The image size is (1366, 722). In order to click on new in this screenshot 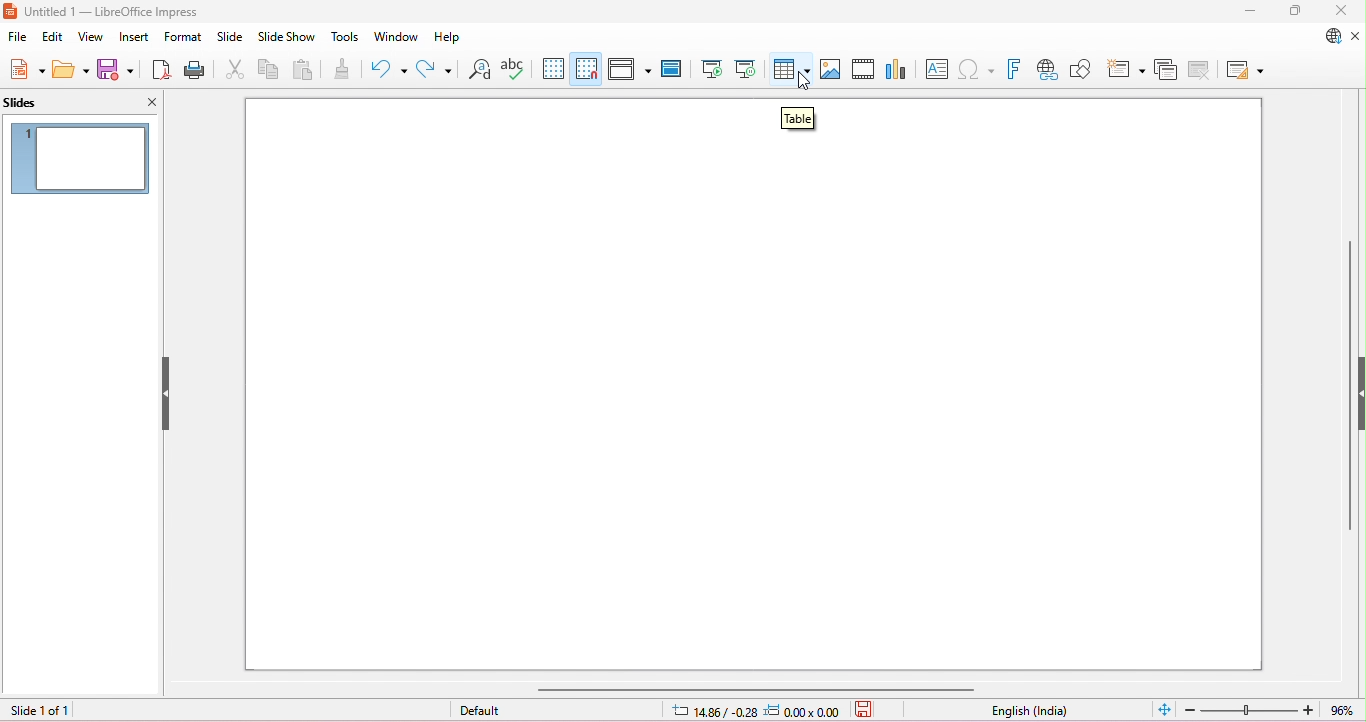, I will do `click(27, 69)`.